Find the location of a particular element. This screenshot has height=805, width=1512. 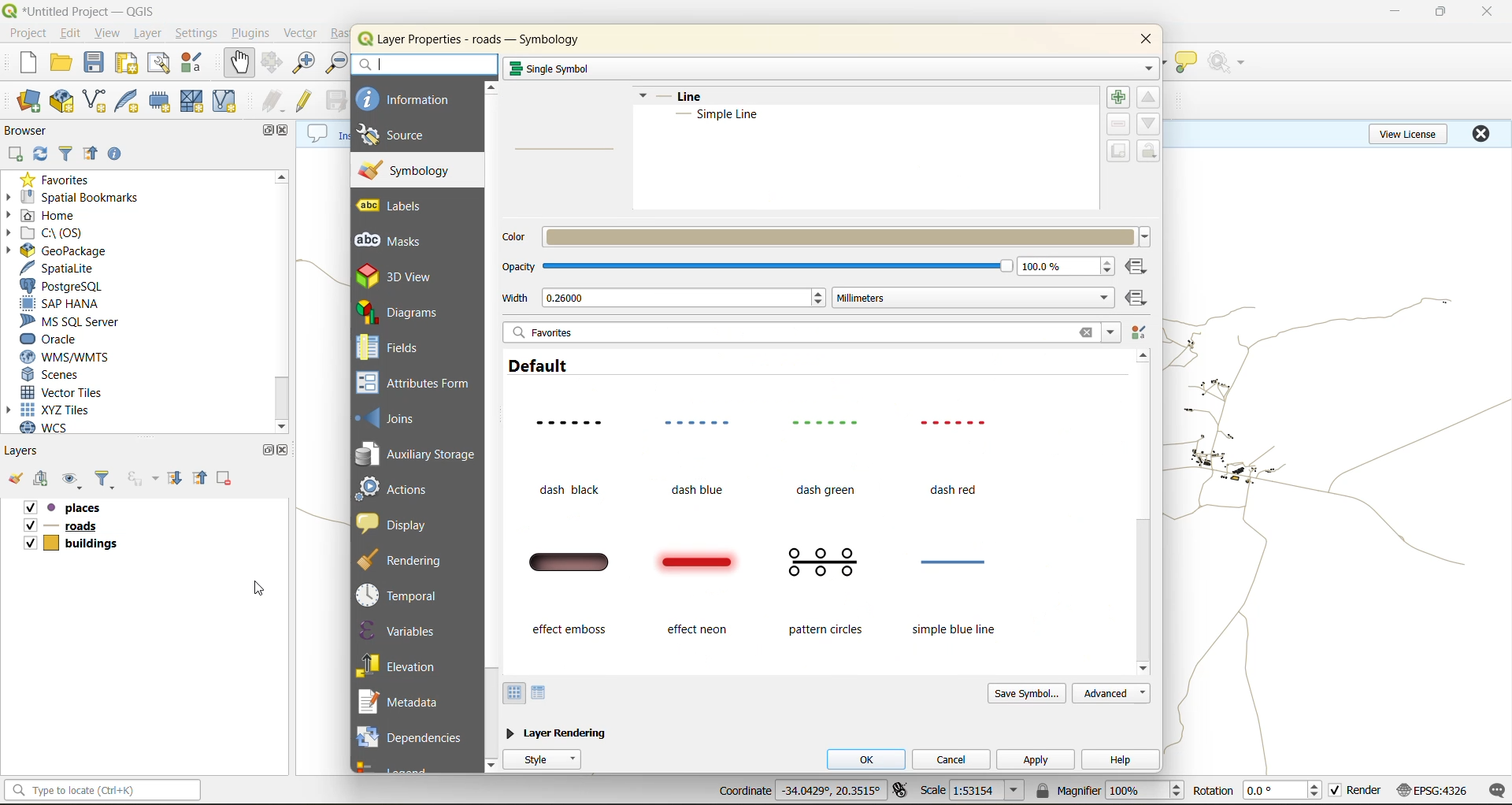

spatialite is located at coordinates (71, 268).